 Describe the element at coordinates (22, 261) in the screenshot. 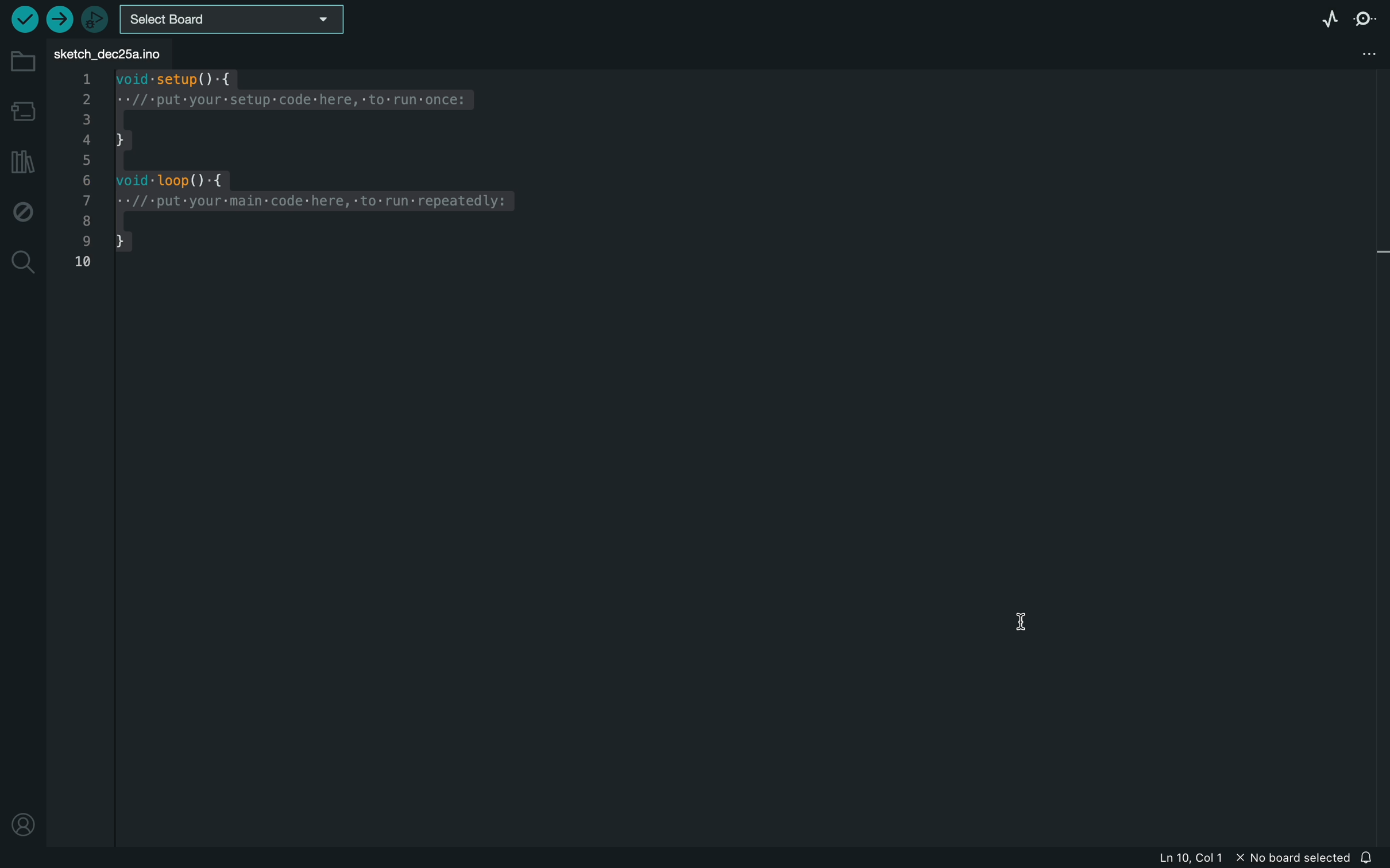

I see `search` at that location.